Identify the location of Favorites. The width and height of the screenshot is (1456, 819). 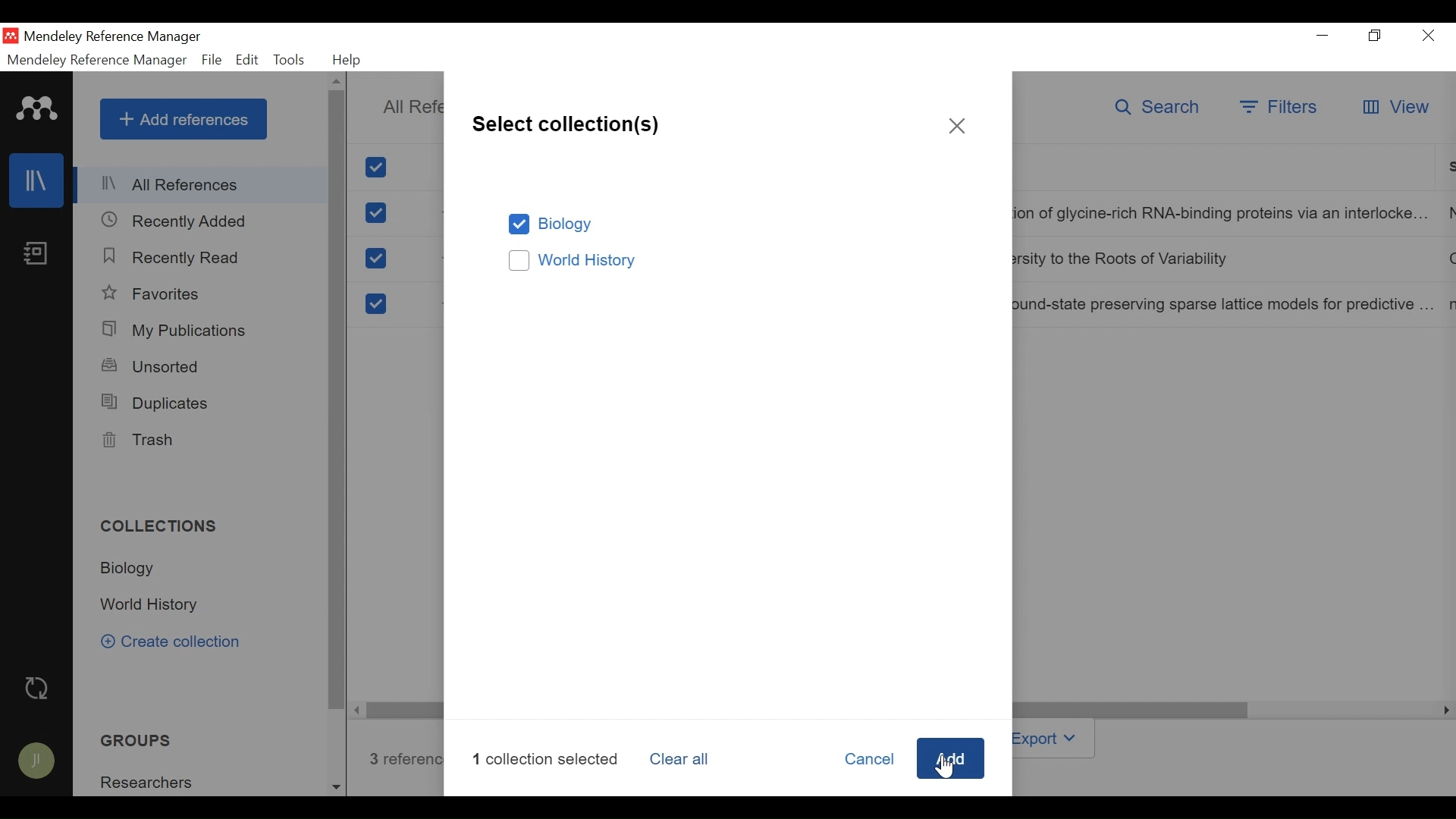
(155, 293).